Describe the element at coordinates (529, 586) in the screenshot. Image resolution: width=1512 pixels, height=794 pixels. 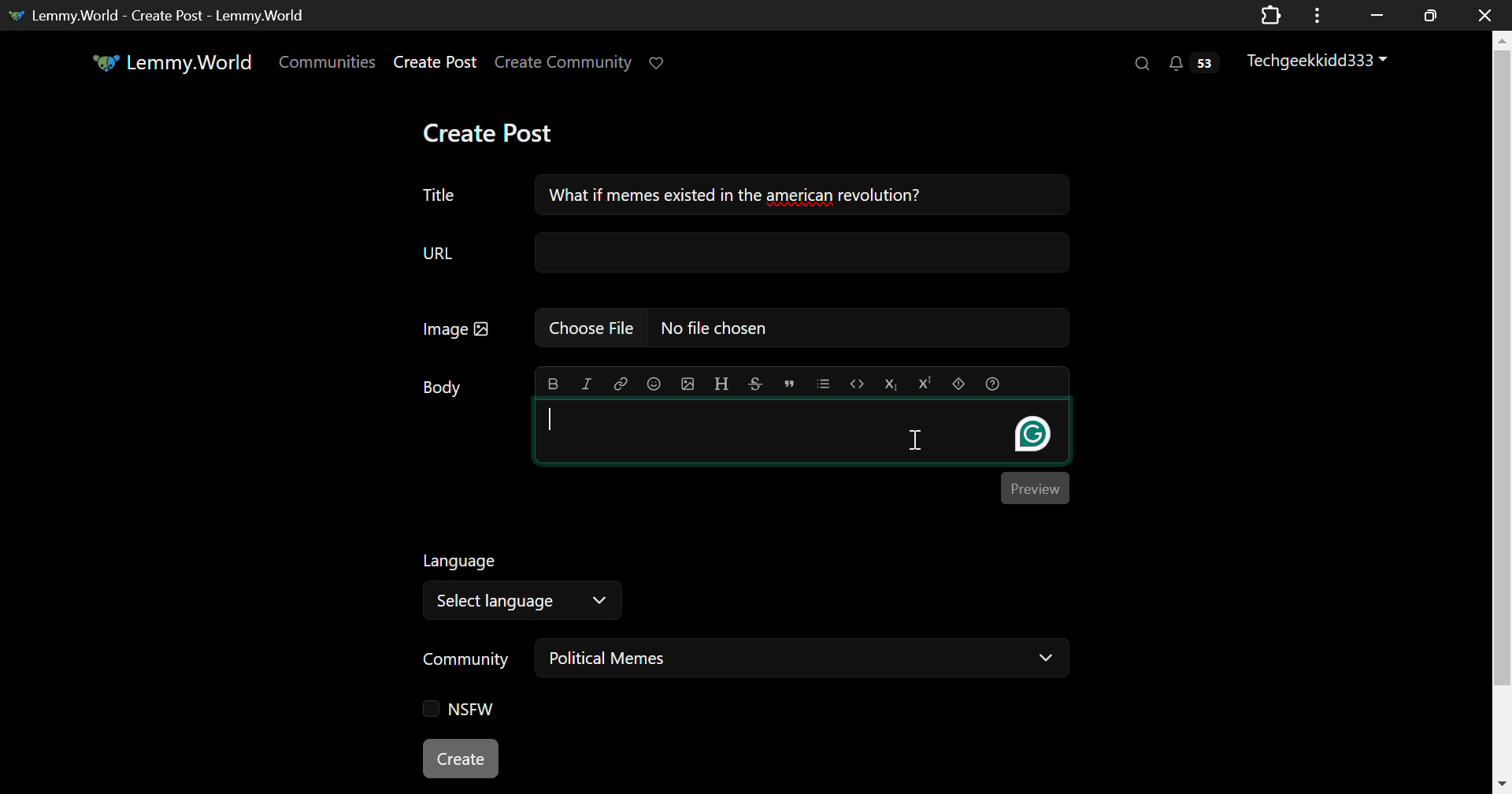
I see `Select Language` at that location.